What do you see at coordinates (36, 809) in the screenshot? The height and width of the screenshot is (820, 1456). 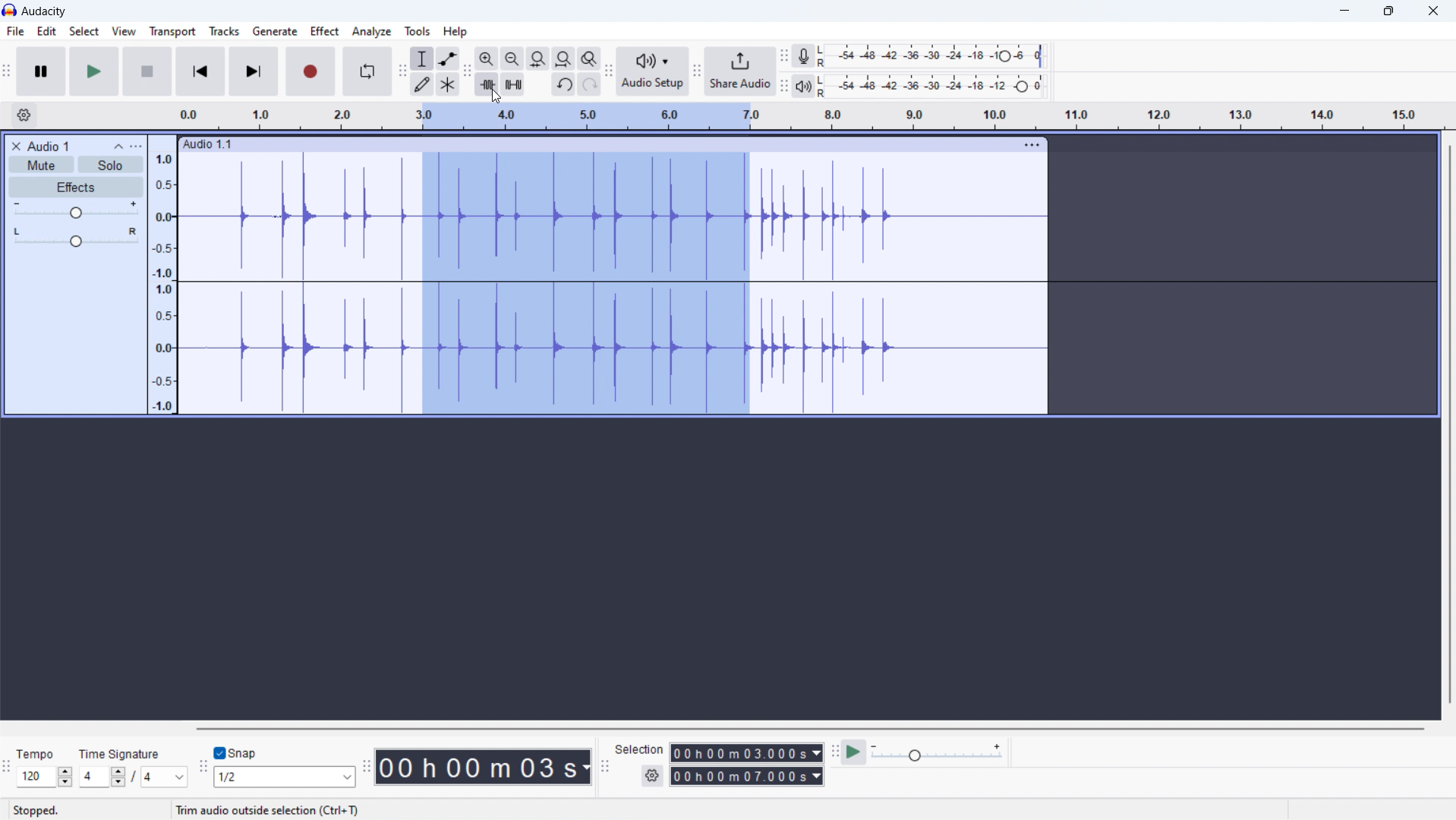 I see `Stopped` at bounding box center [36, 809].